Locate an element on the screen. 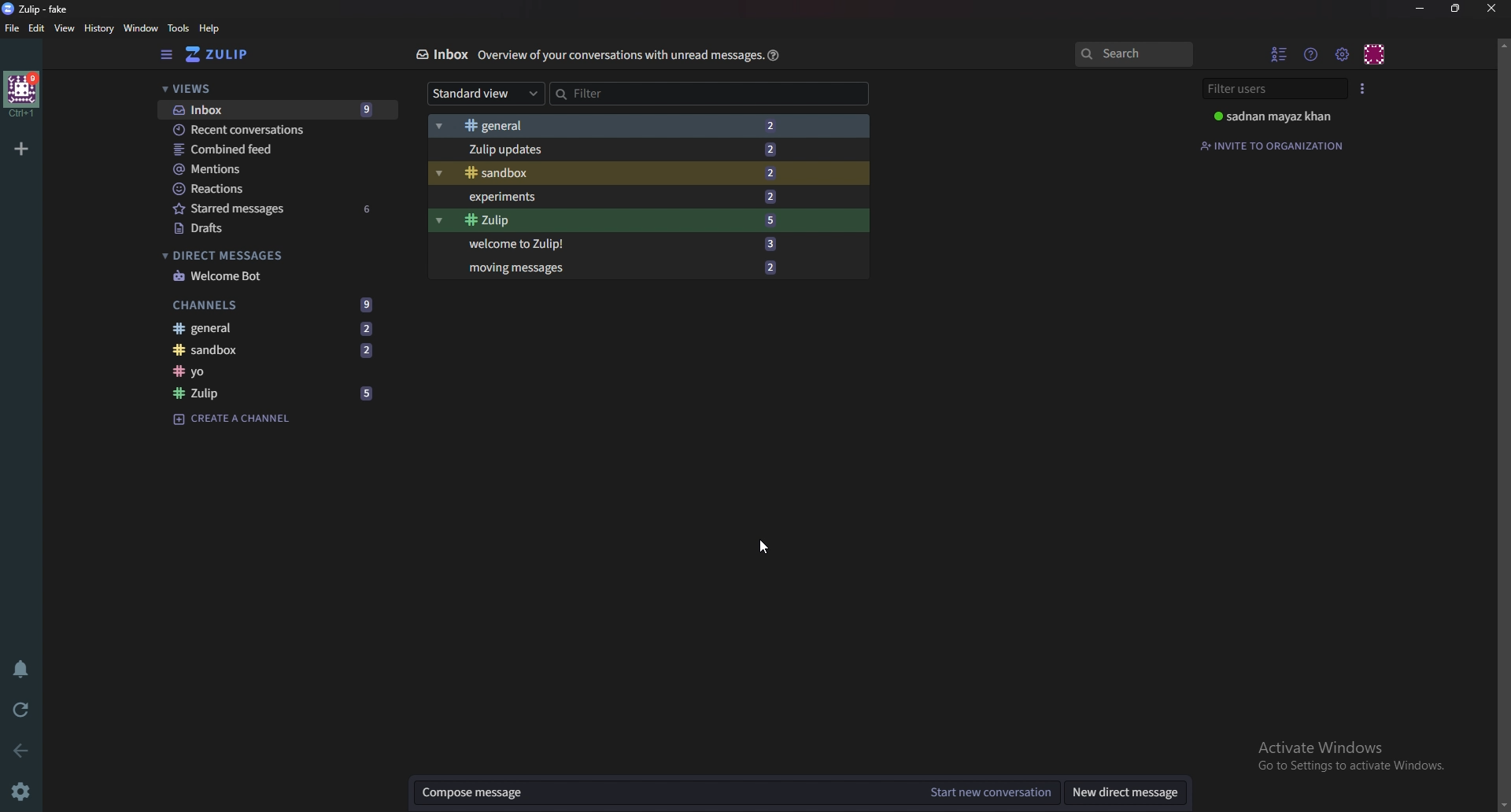 This screenshot has width=1511, height=812. Direct messages is located at coordinates (263, 257).